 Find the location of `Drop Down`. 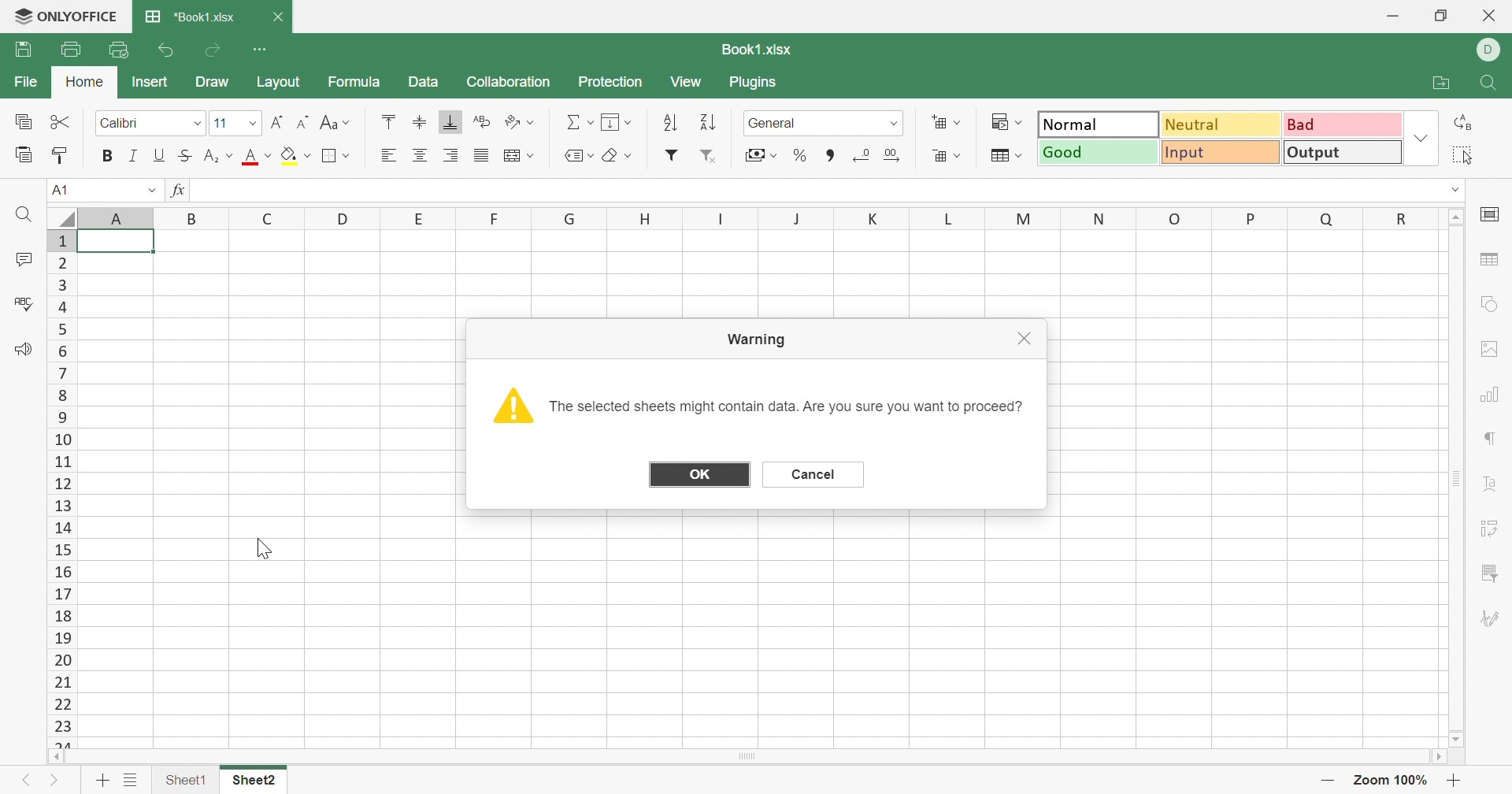

Drop Down is located at coordinates (349, 124).